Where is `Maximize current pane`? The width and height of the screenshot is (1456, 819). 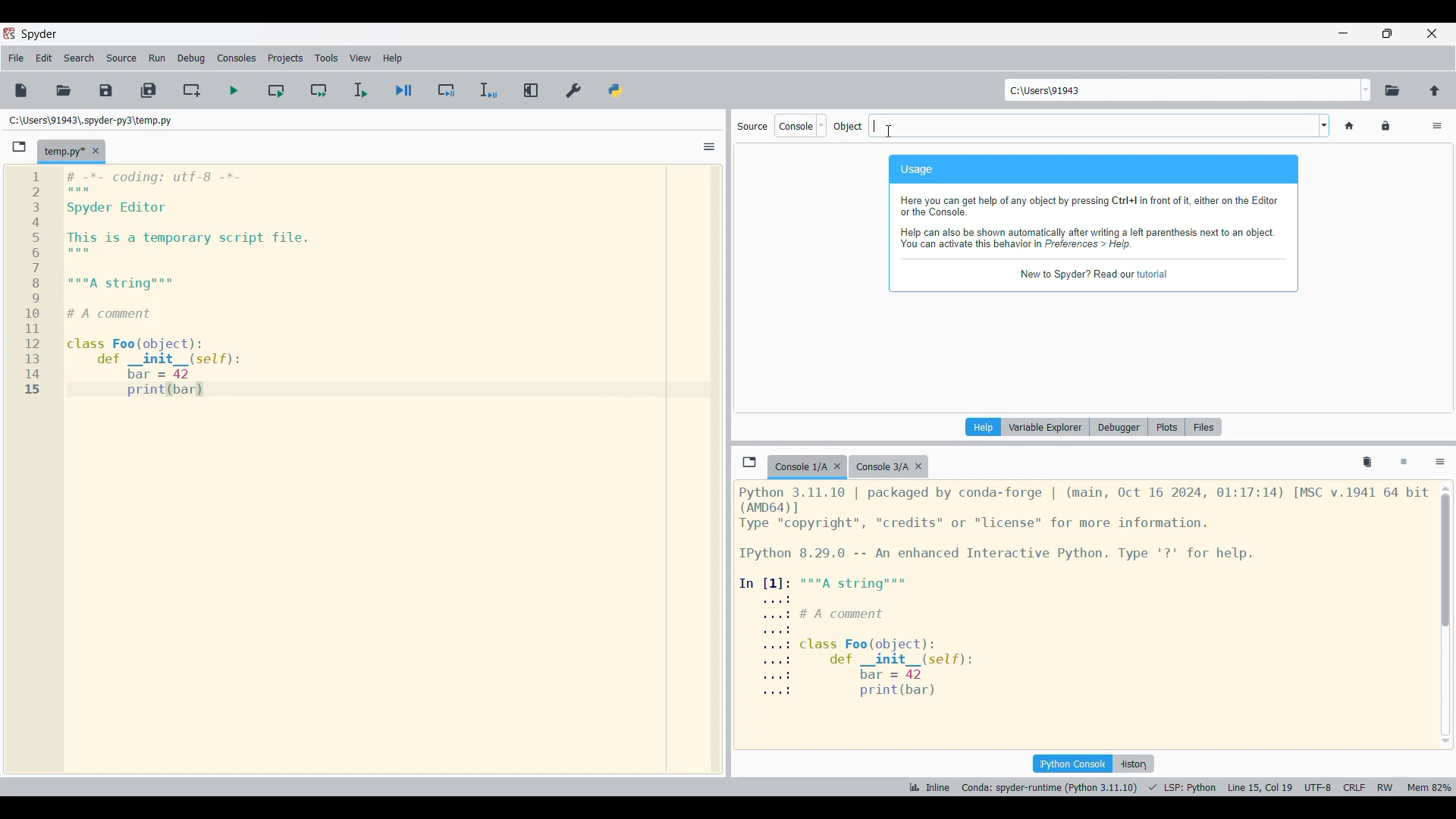
Maximize current pane is located at coordinates (532, 90).